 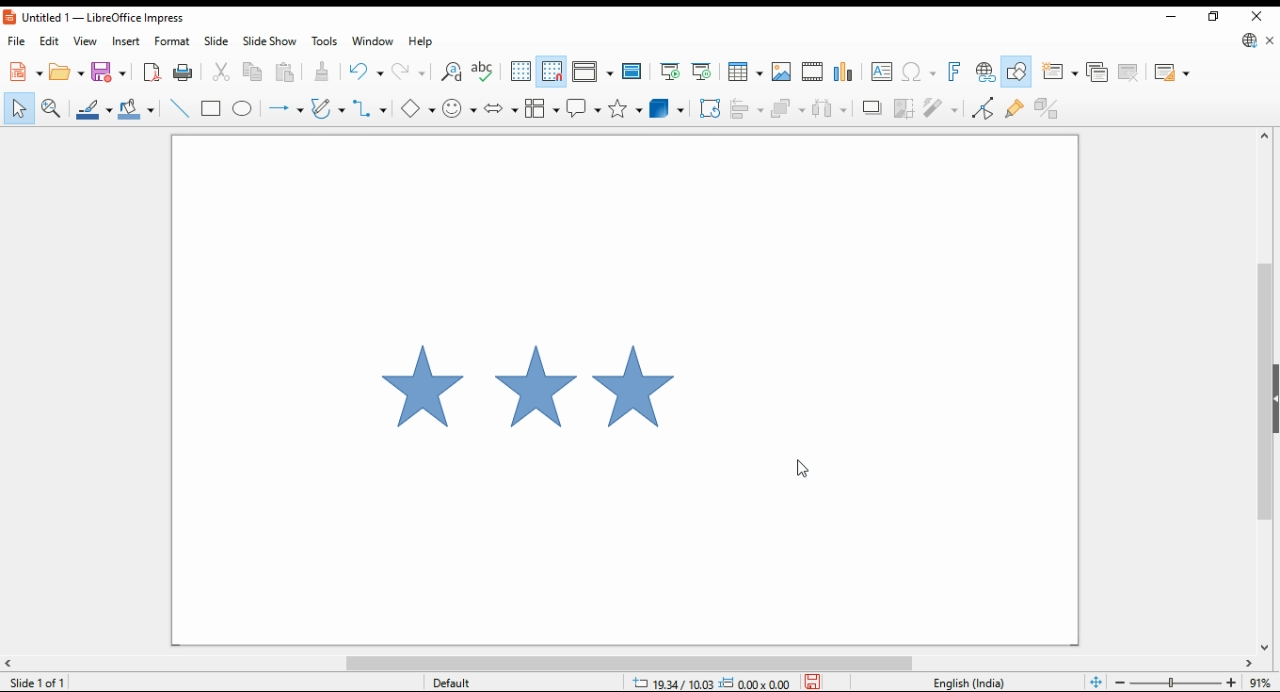 I want to click on select, so click(x=20, y=108).